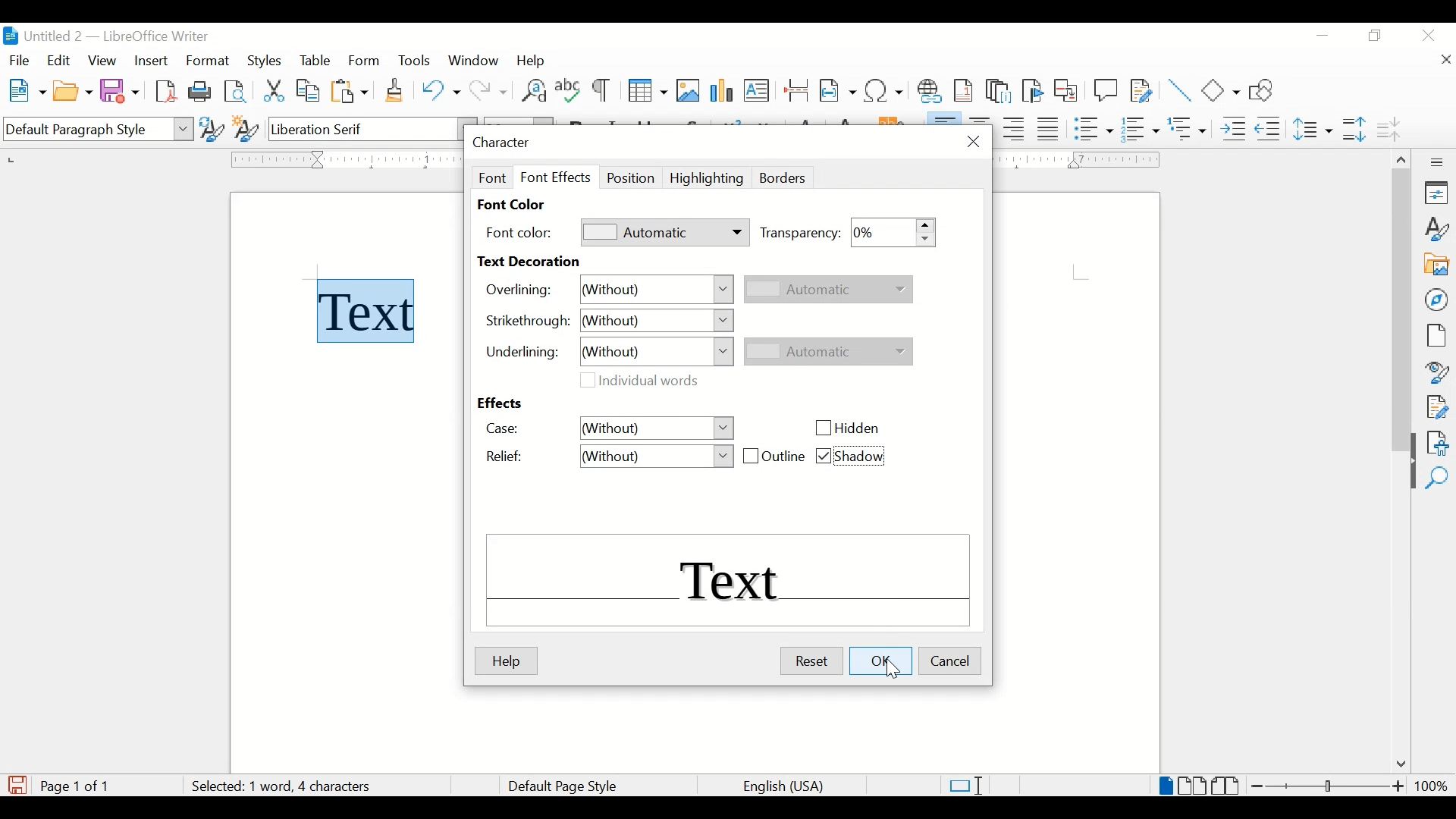 Image resolution: width=1456 pixels, height=819 pixels. Describe the element at coordinates (121, 90) in the screenshot. I see `save ` at that location.